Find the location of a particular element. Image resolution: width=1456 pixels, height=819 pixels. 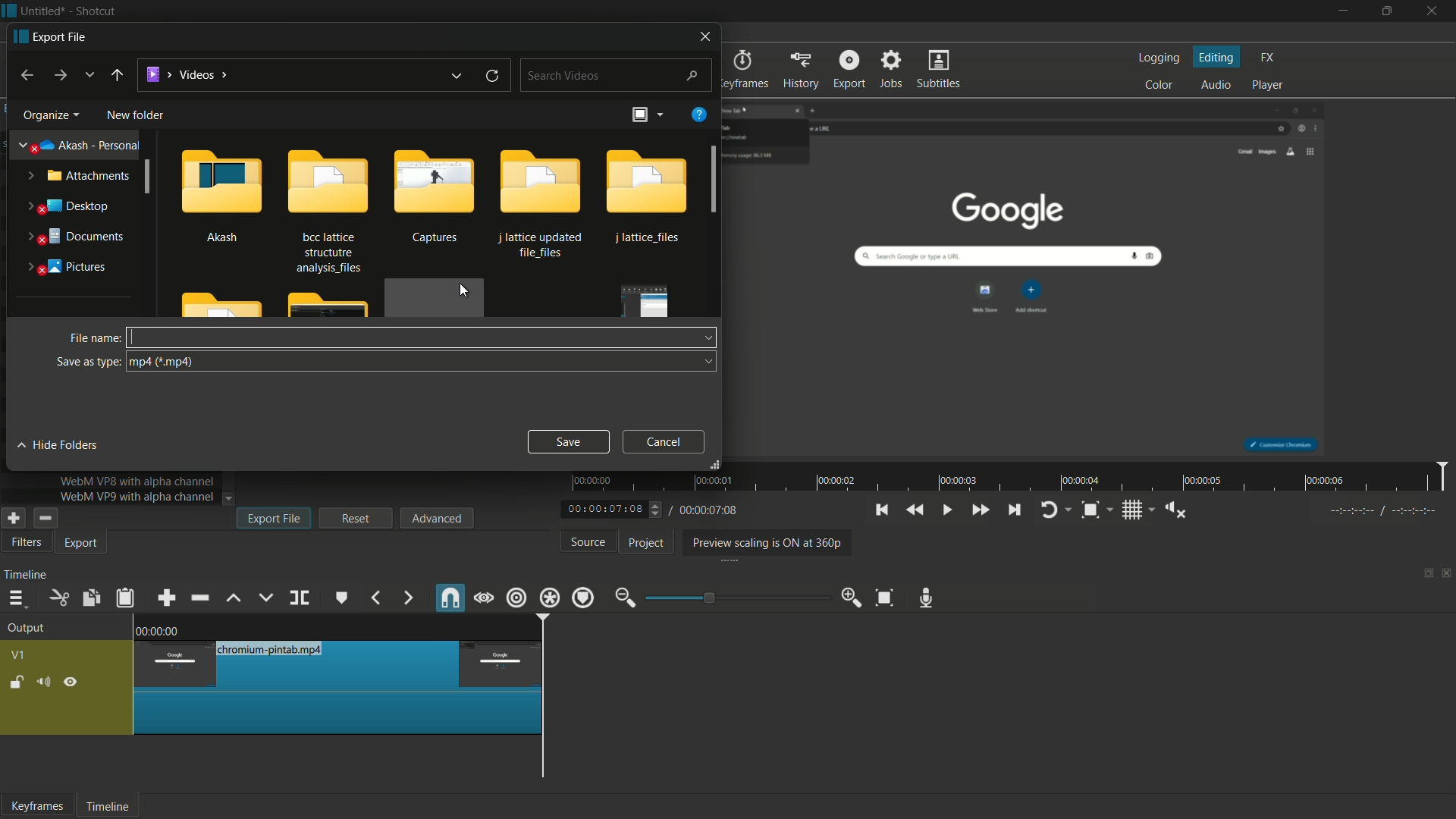

snap is located at coordinates (449, 598).